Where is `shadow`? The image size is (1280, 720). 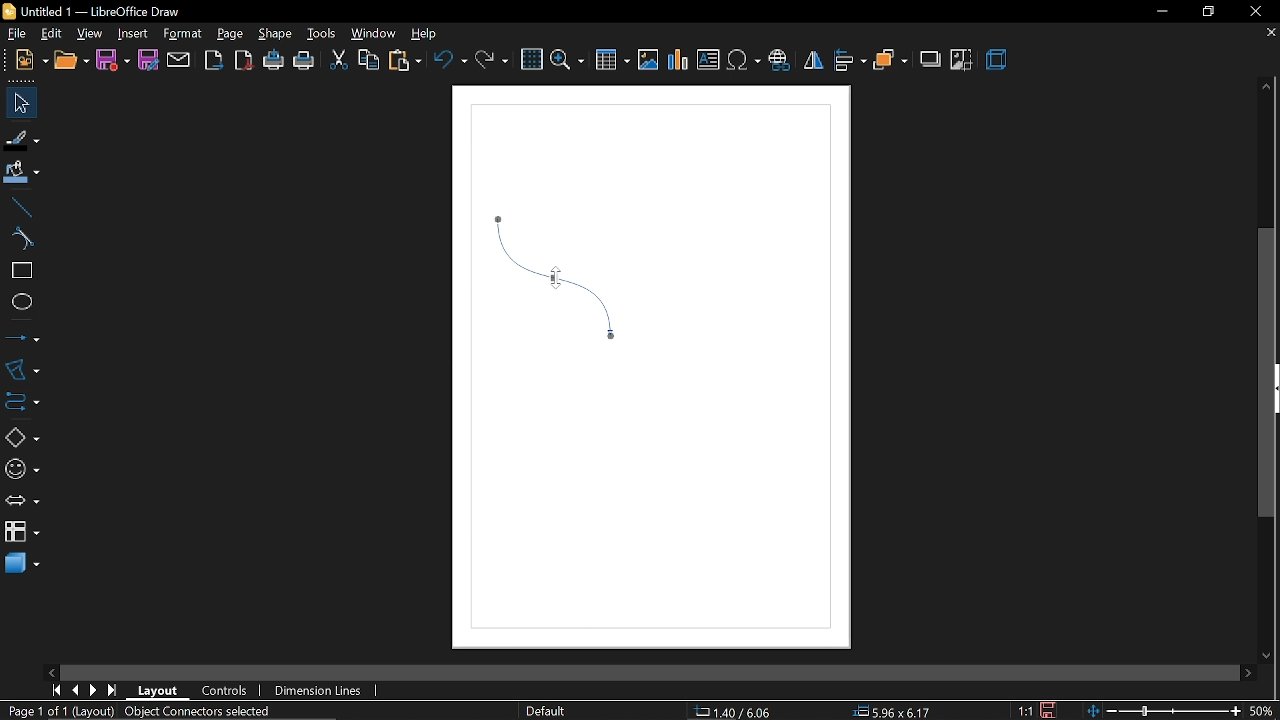 shadow is located at coordinates (929, 59).